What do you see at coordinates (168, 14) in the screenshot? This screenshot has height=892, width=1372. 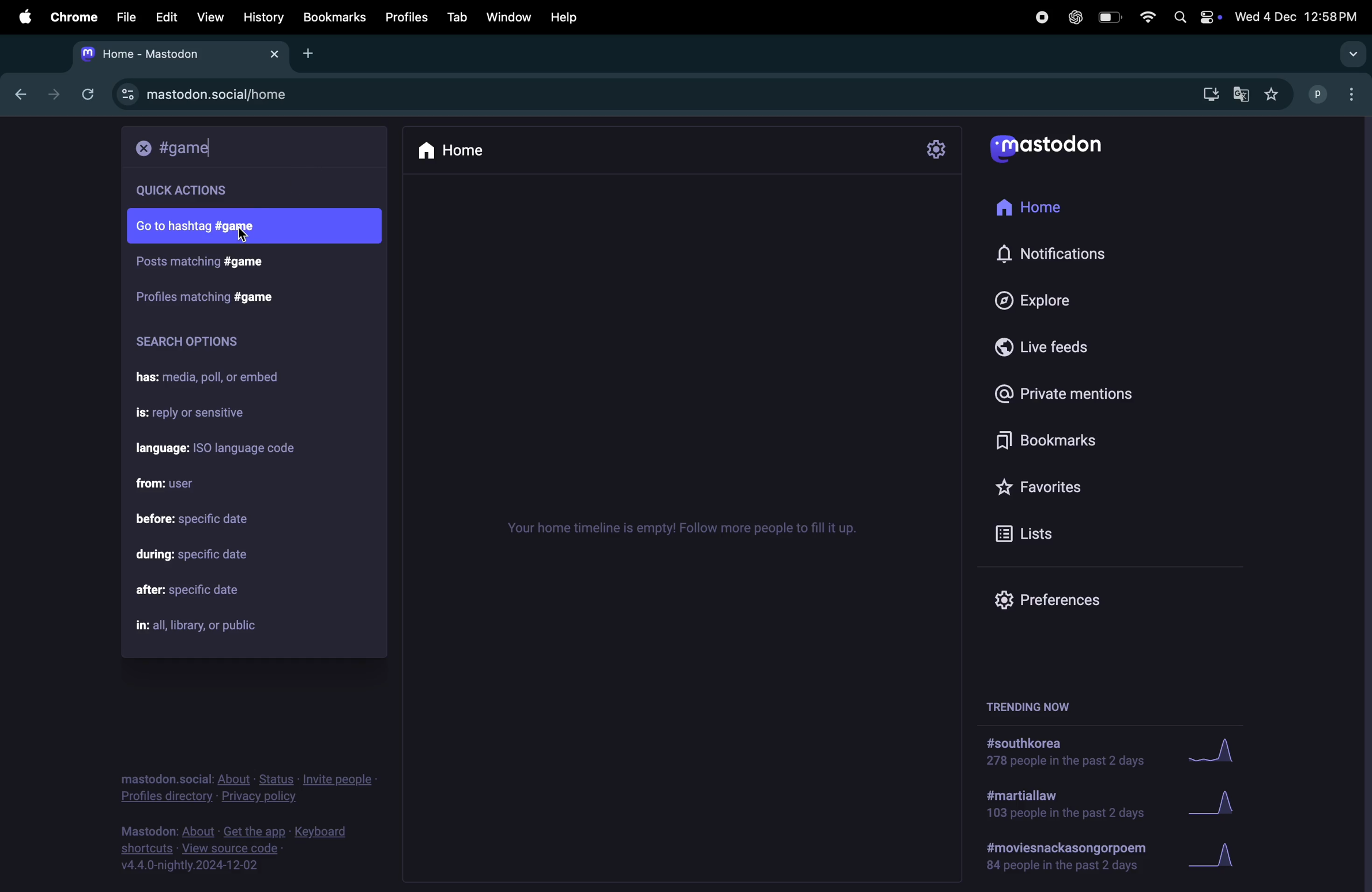 I see `Edit` at bounding box center [168, 14].